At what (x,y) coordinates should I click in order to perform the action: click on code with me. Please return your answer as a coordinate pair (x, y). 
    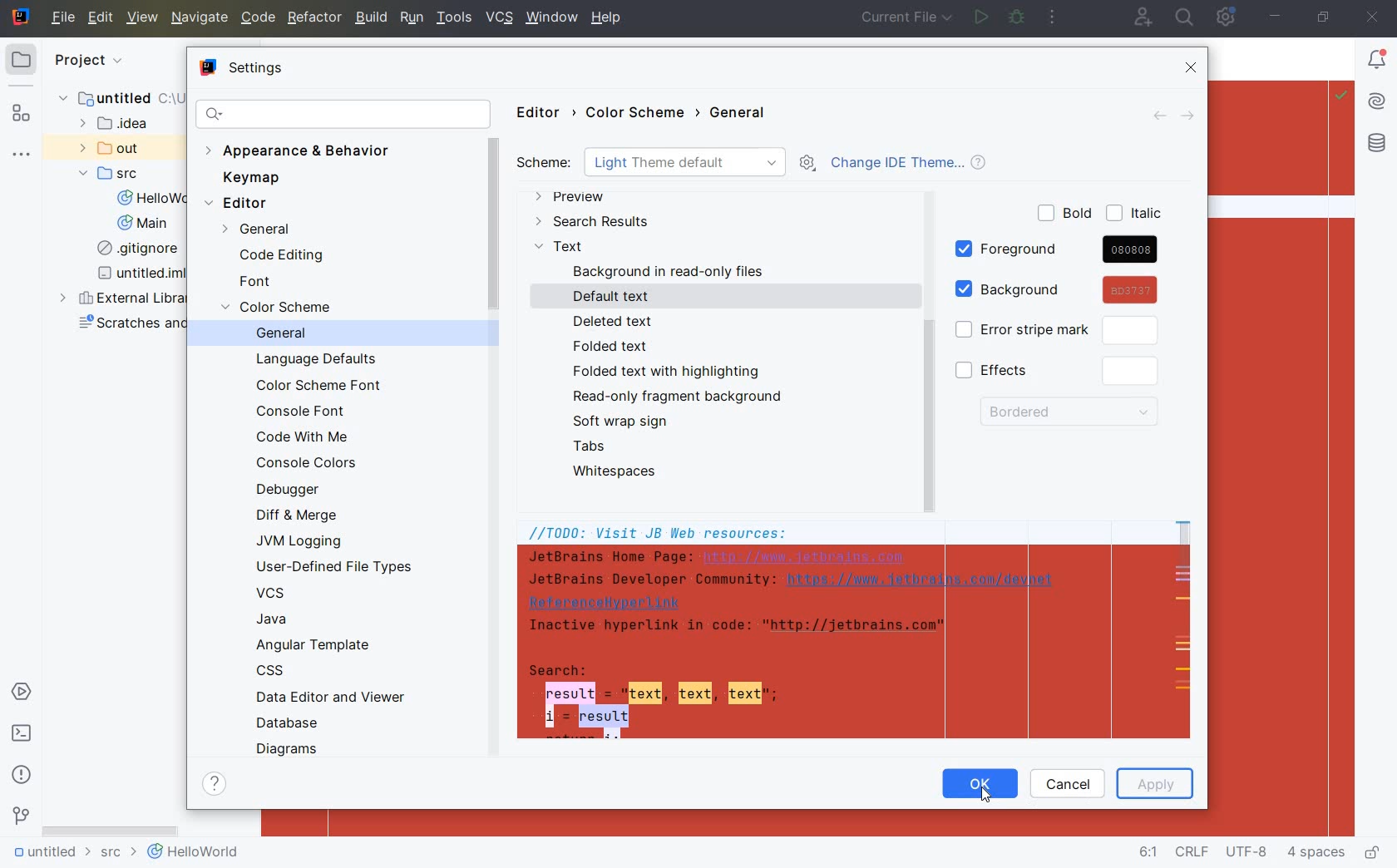
    Looking at the image, I should click on (1141, 17).